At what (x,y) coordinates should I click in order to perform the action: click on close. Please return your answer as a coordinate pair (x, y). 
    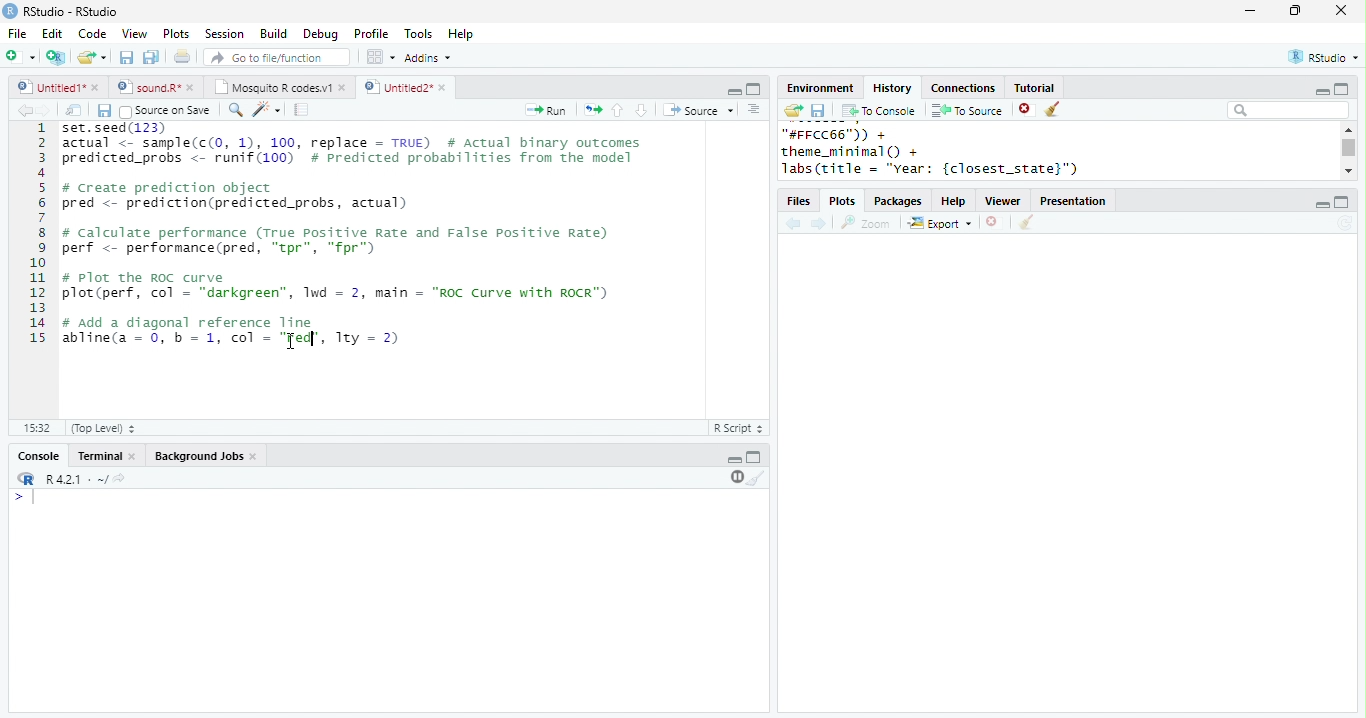
    Looking at the image, I should click on (134, 457).